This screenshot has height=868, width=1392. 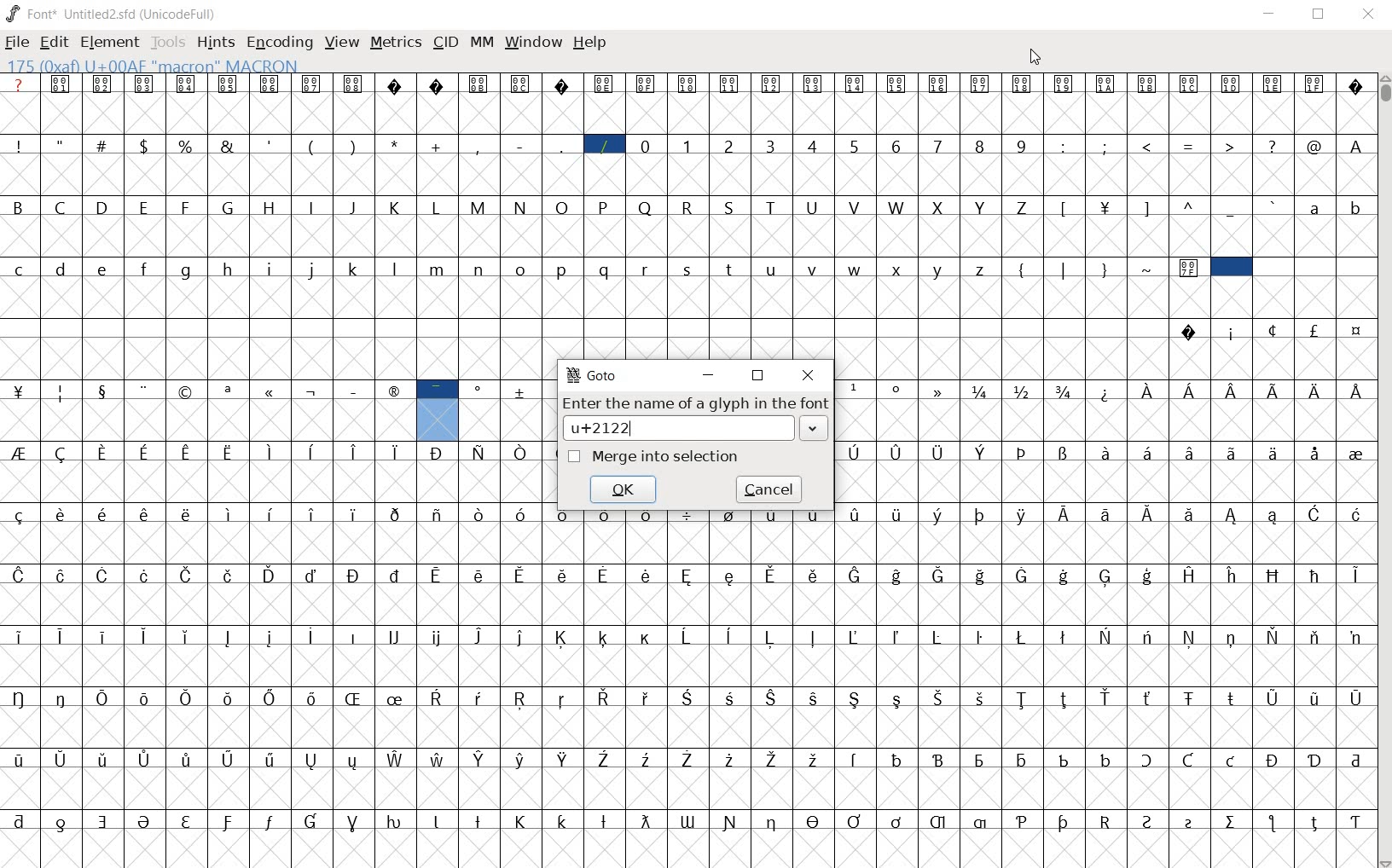 I want to click on Latin extended characters, so click(x=897, y=473).